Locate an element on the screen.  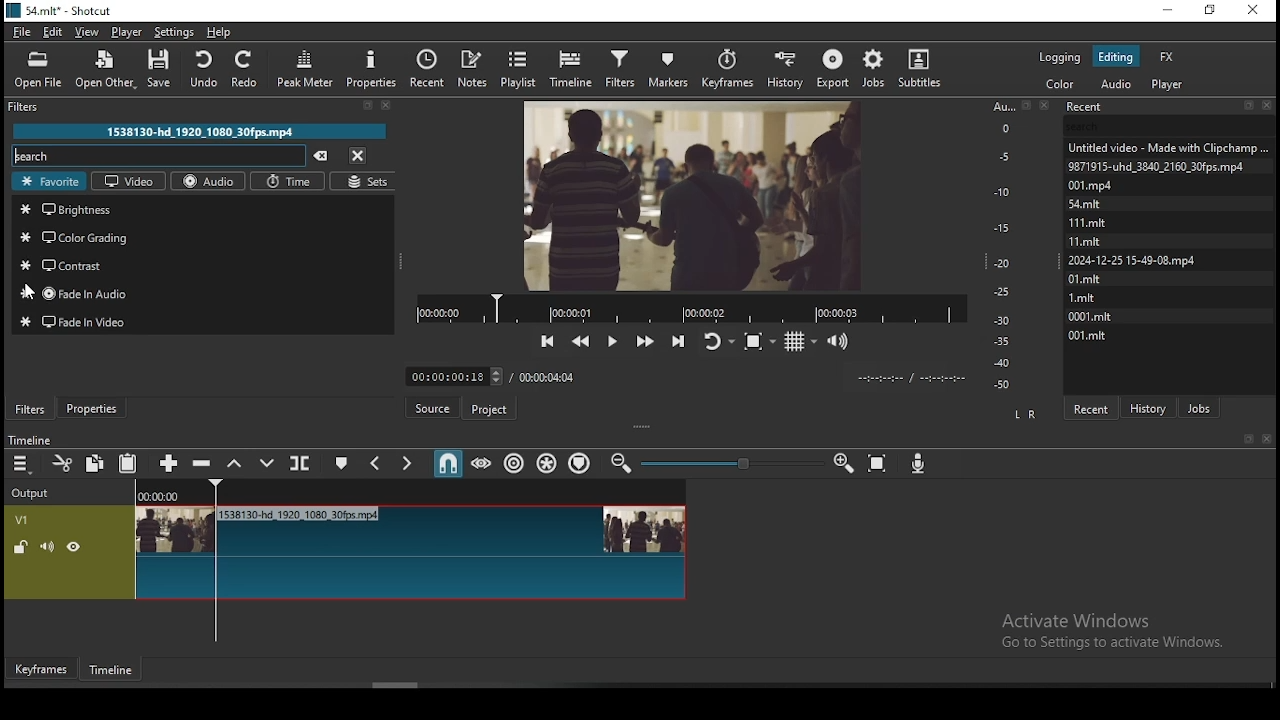
minimize is located at coordinates (1167, 11).